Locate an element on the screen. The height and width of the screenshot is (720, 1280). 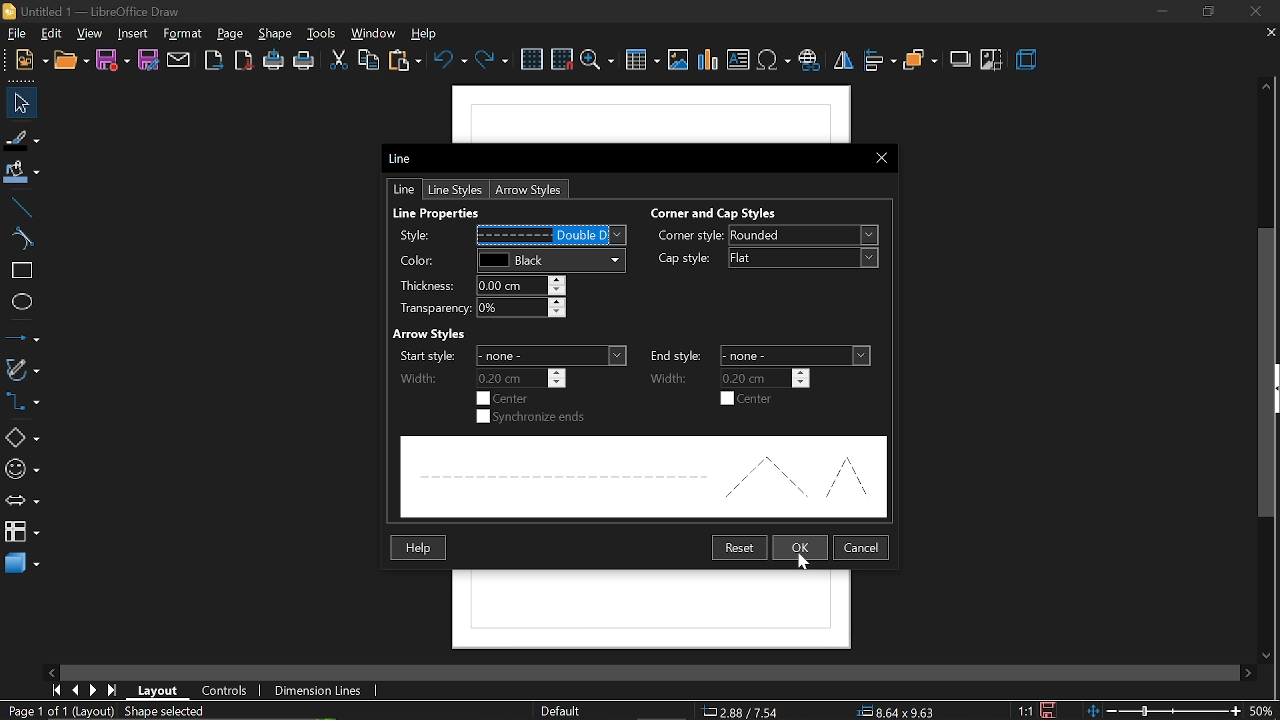
undo is located at coordinates (450, 61).